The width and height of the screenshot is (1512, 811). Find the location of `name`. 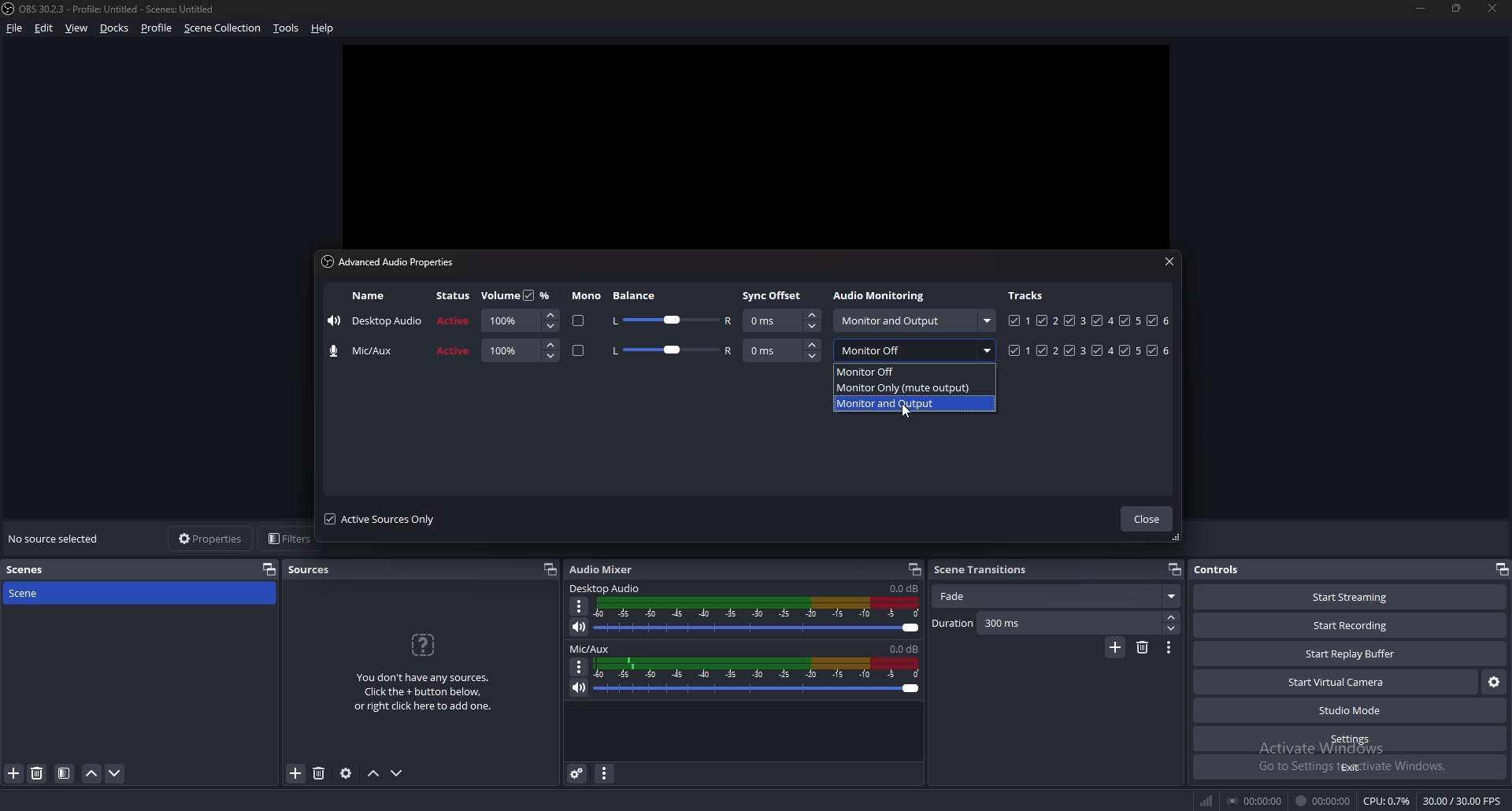

name is located at coordinates (376, 320).